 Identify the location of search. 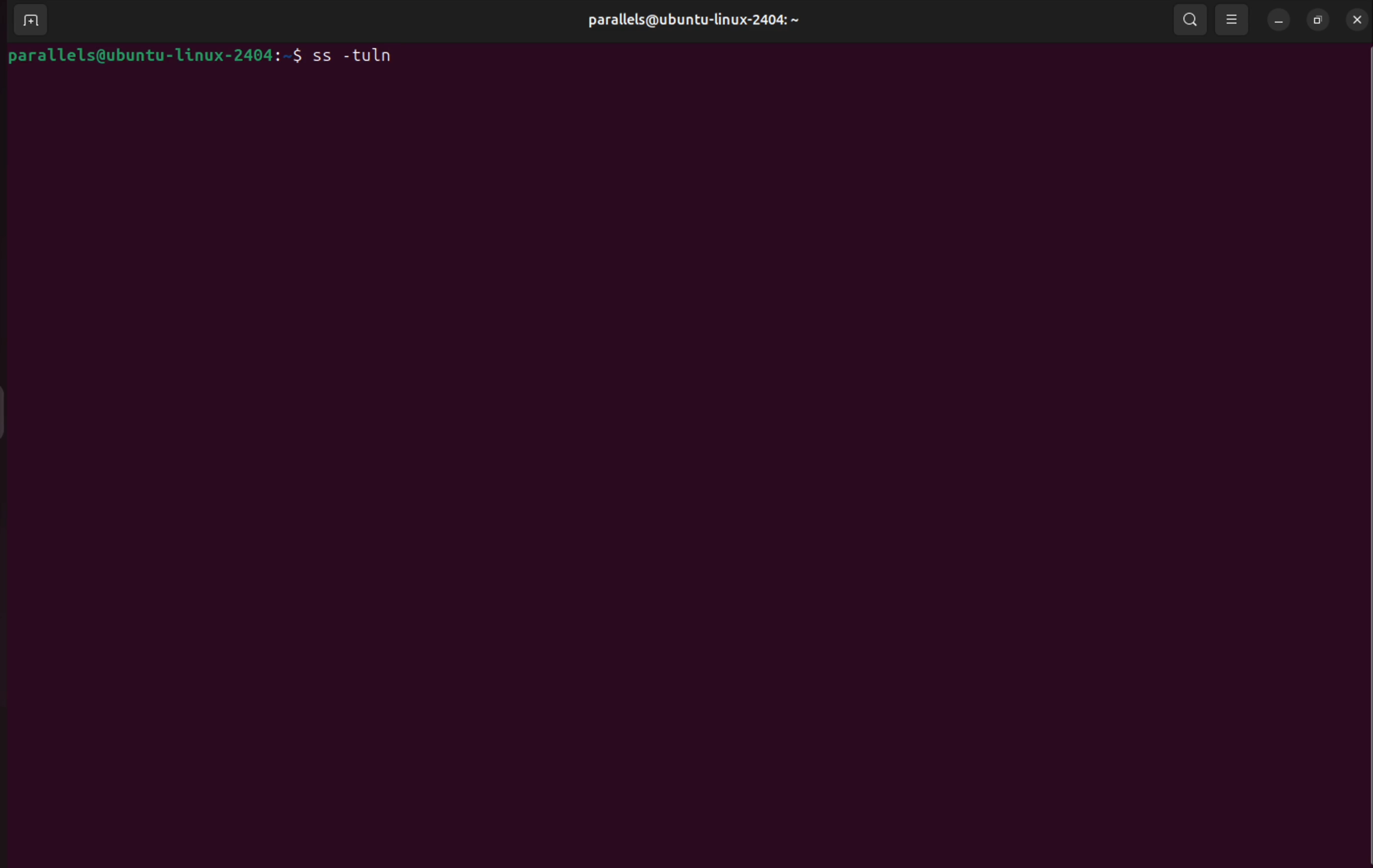
(1194, 21).